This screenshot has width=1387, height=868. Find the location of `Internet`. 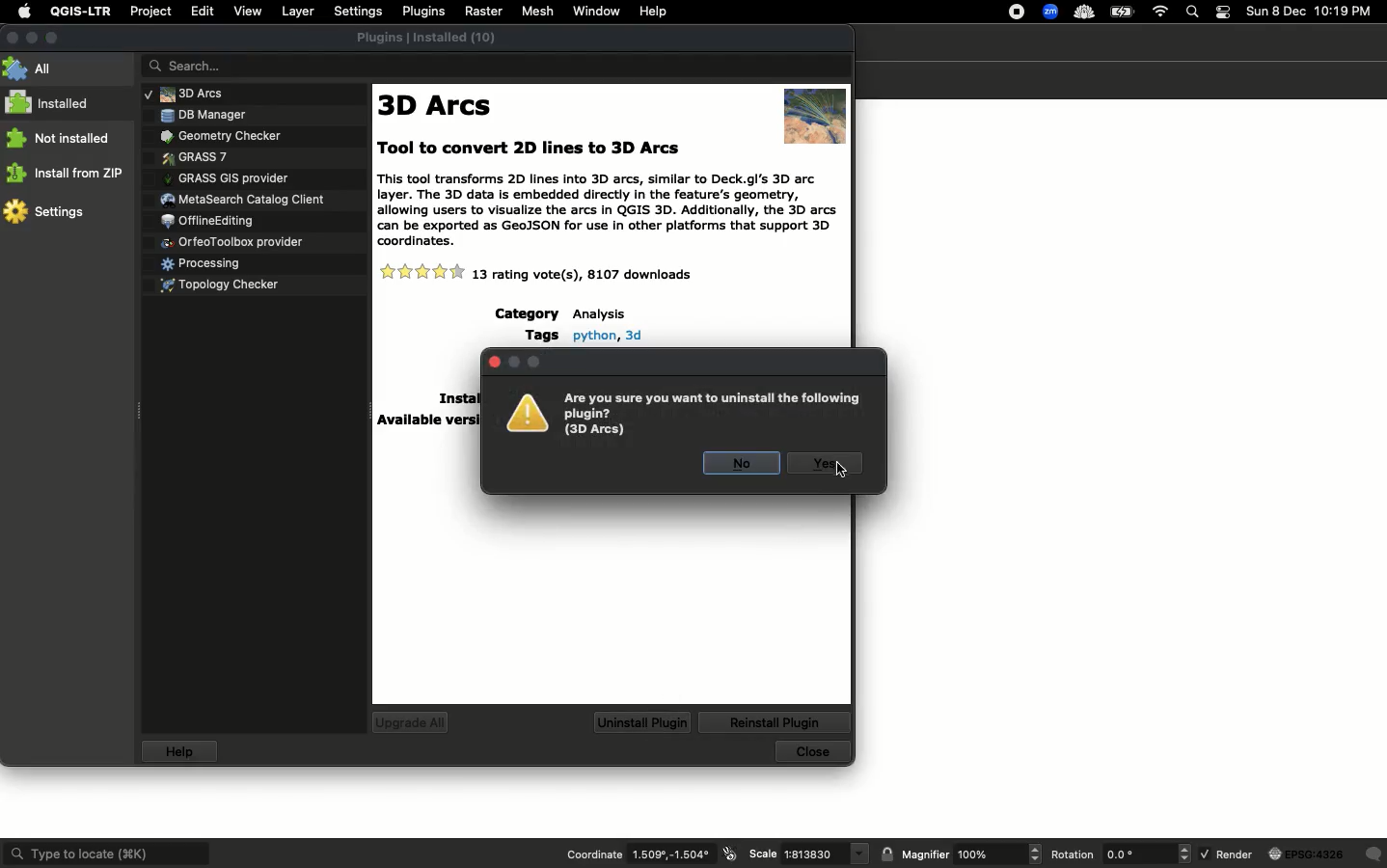

Internet is located at coordinates (1162, 12).